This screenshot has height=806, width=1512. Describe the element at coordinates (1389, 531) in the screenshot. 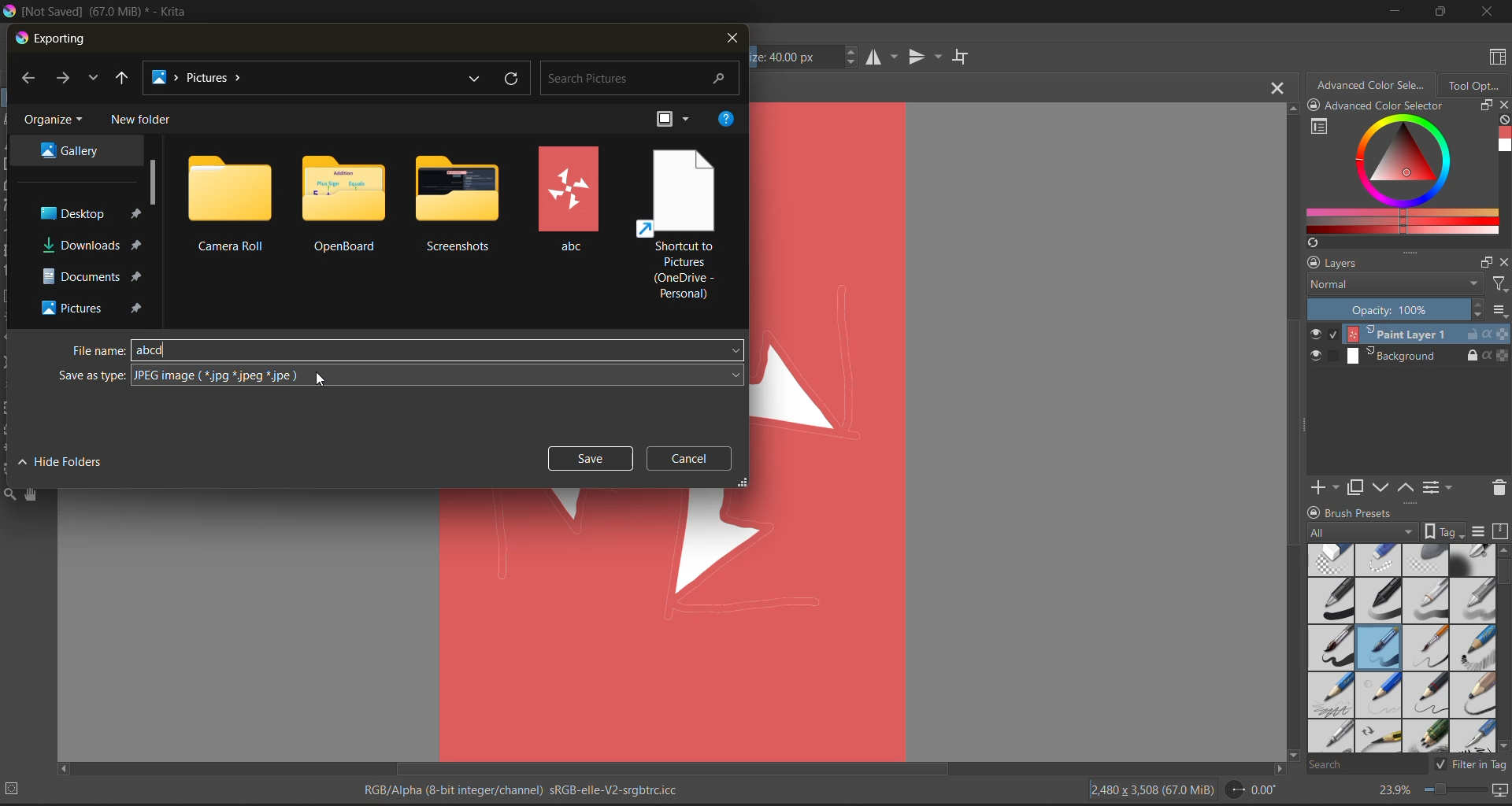

I see `tag` at that location.